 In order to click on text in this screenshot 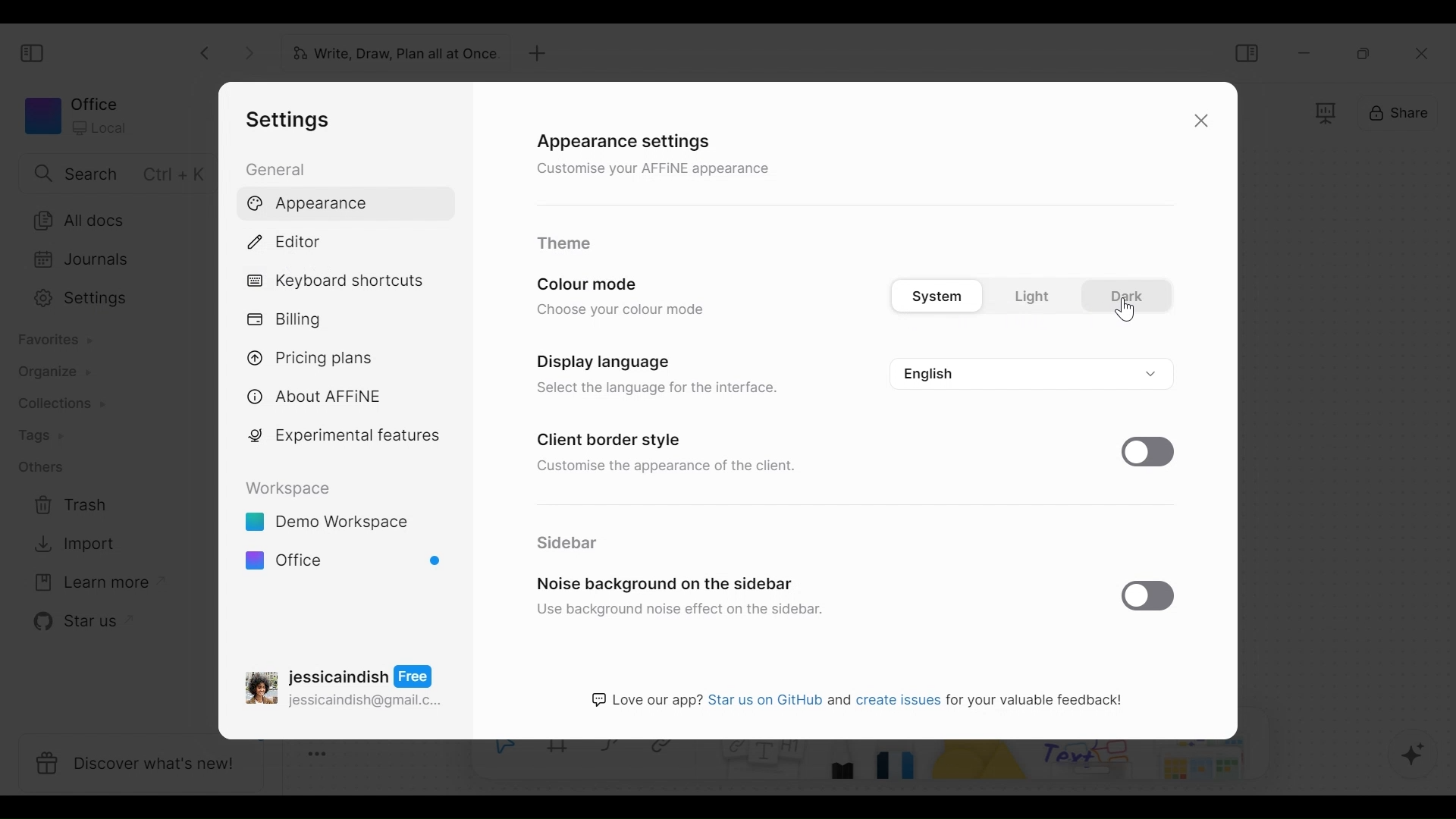, I will do `click(855, 696)`.